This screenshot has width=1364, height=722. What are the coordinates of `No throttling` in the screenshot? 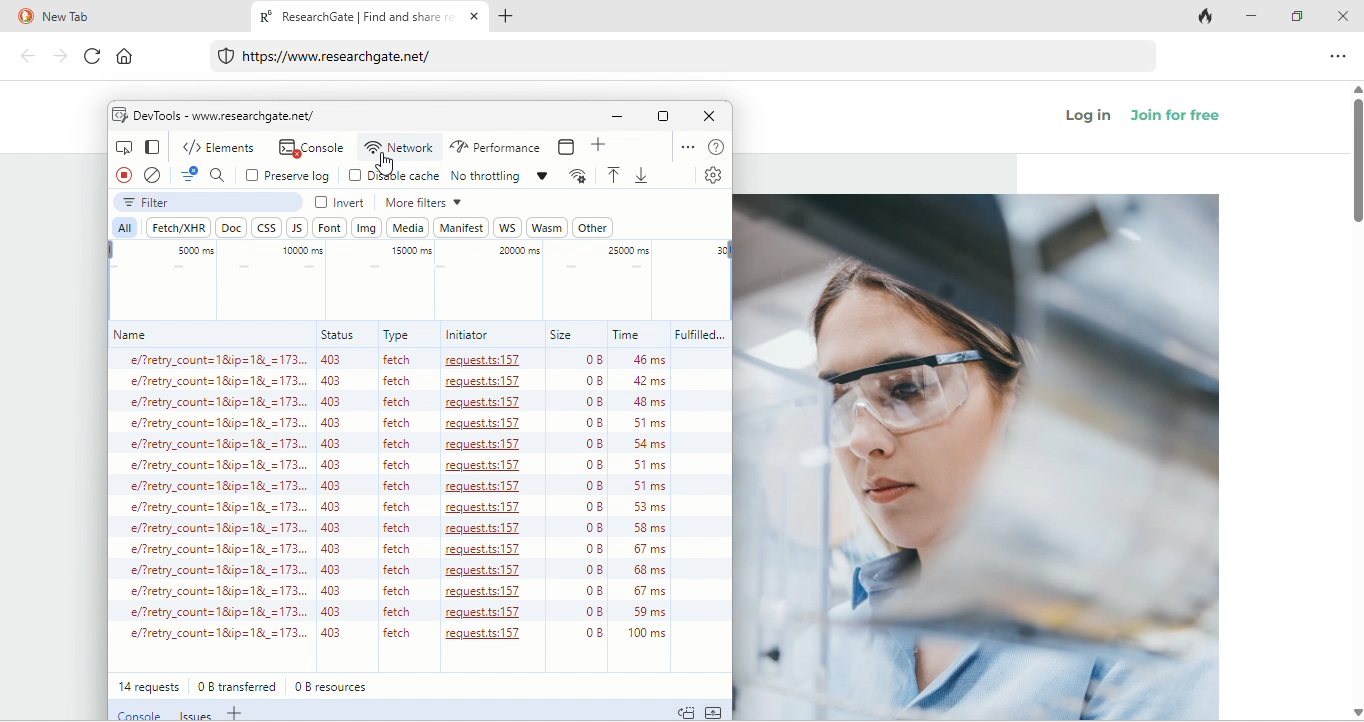 It's located at (500, 173).